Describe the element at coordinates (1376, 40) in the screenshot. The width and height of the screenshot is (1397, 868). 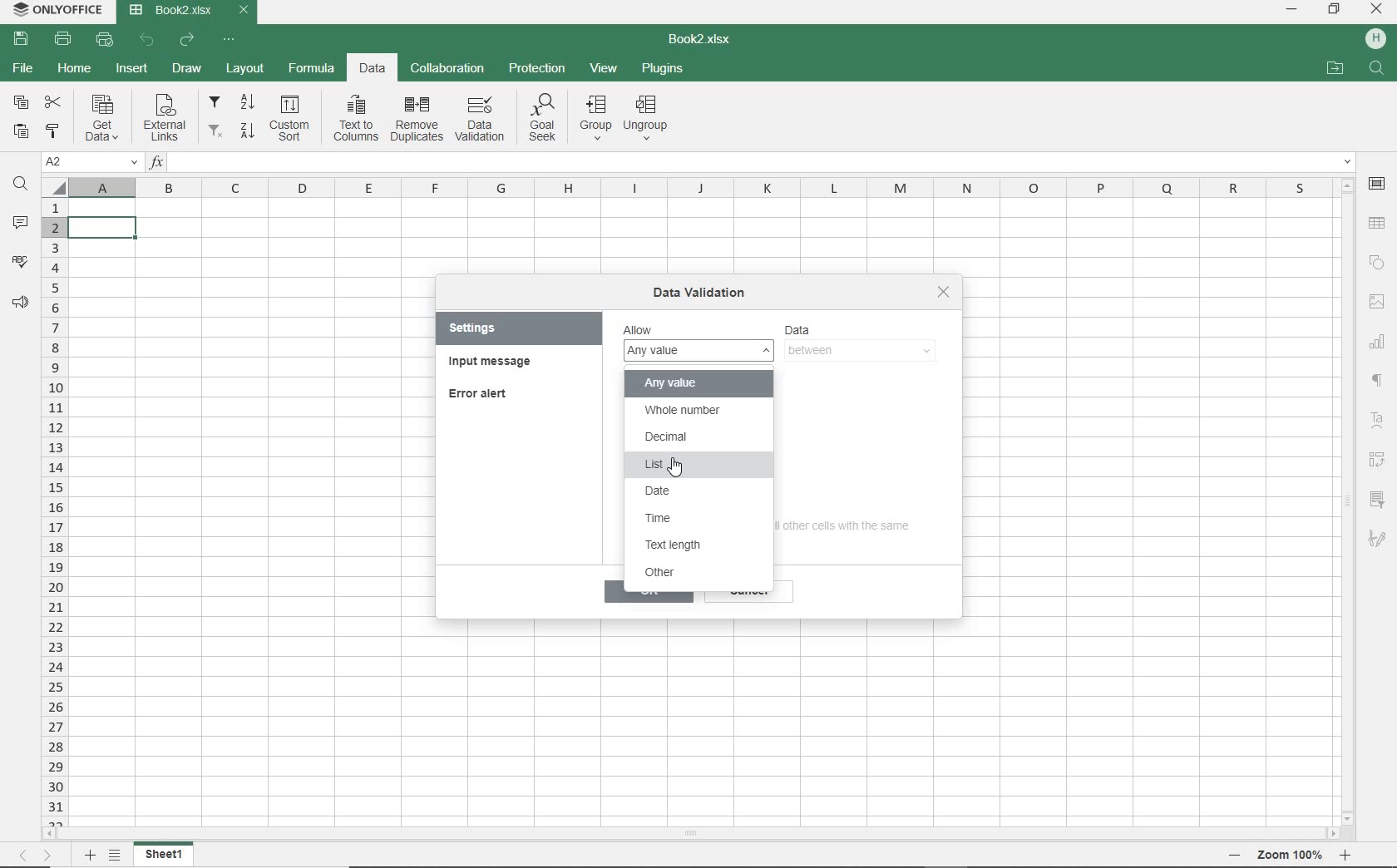
I see `HP` at that location.